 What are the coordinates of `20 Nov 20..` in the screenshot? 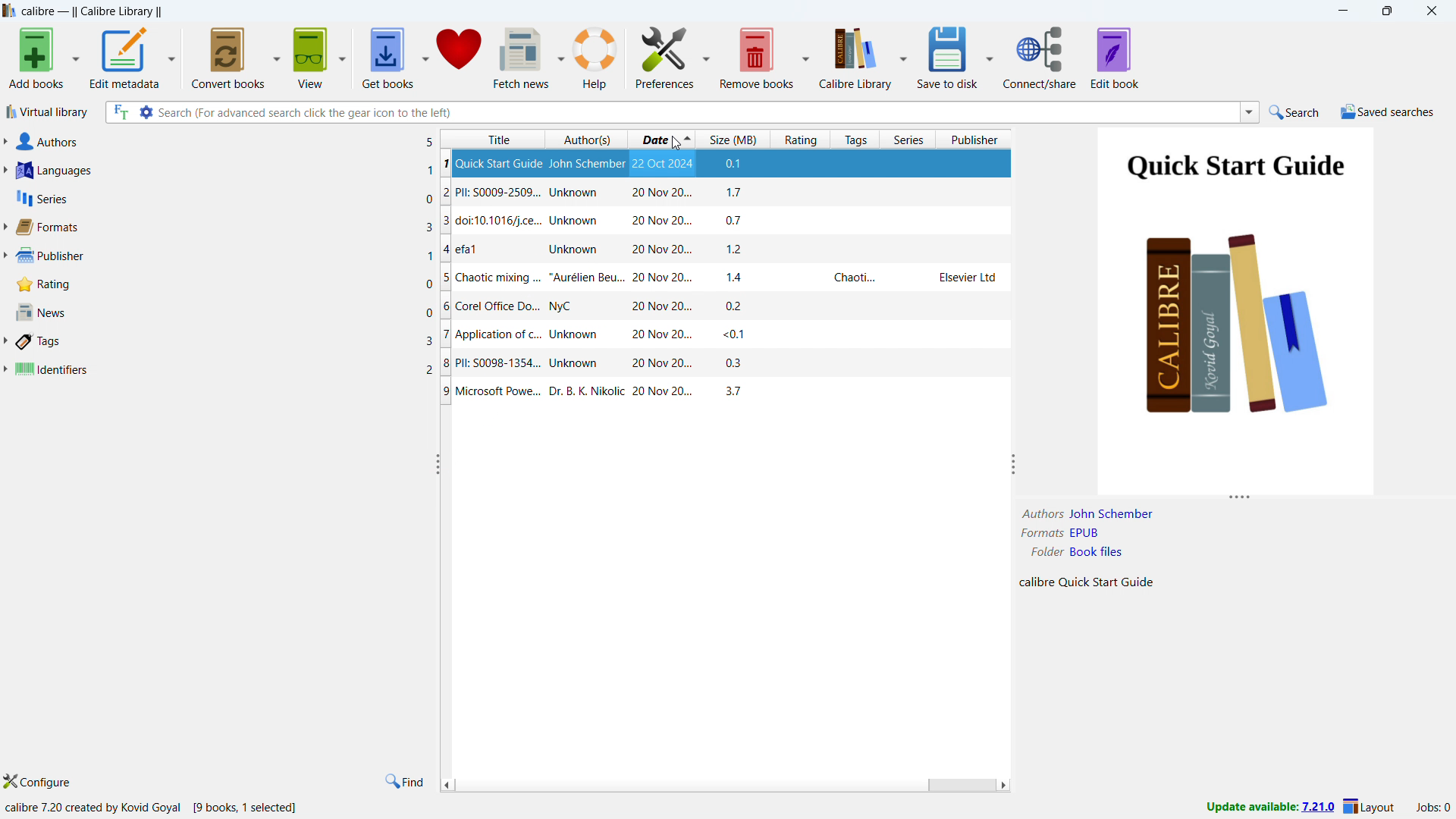 It's located at (662, 163).